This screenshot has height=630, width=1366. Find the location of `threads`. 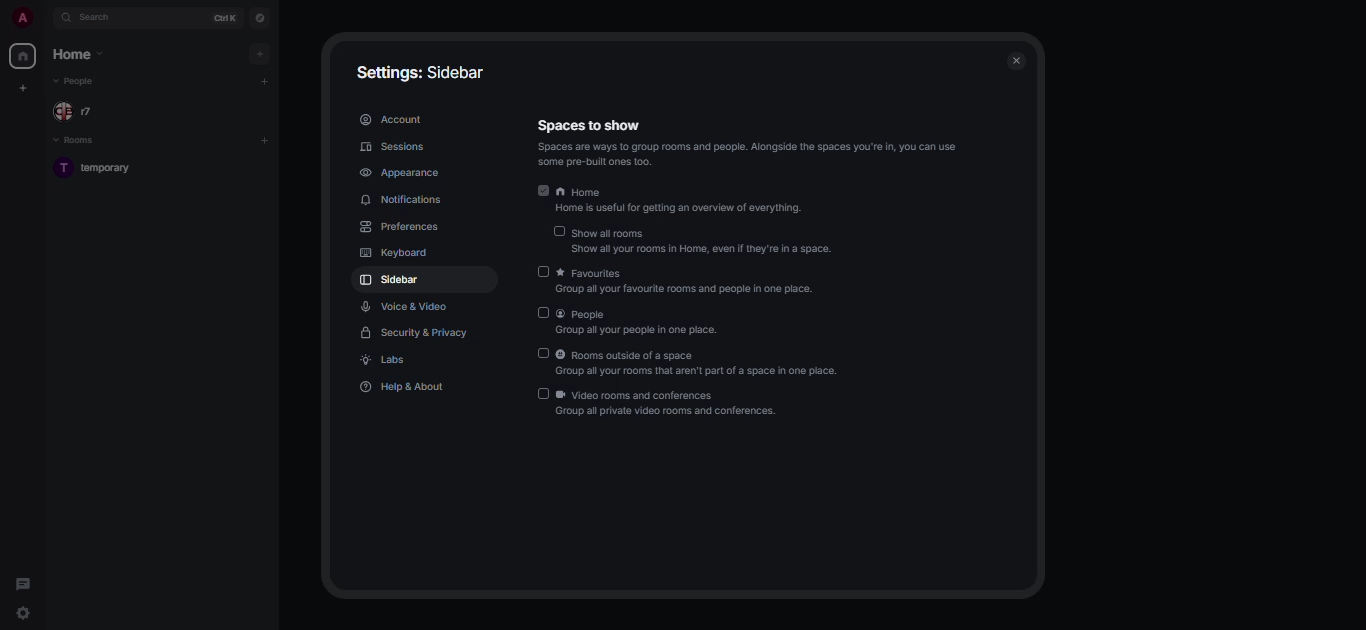

threads is located at coordinates (25, 583).